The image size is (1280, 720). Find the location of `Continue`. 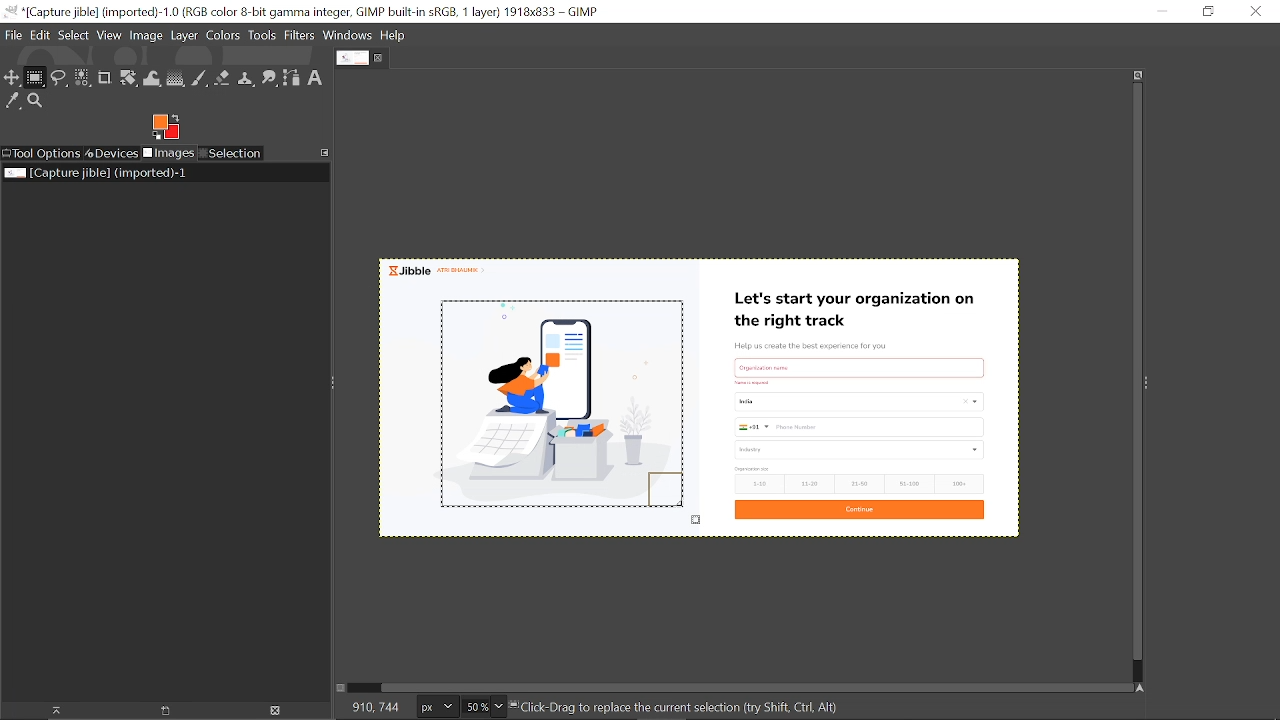

Continue is located at coordinates (860, 510).